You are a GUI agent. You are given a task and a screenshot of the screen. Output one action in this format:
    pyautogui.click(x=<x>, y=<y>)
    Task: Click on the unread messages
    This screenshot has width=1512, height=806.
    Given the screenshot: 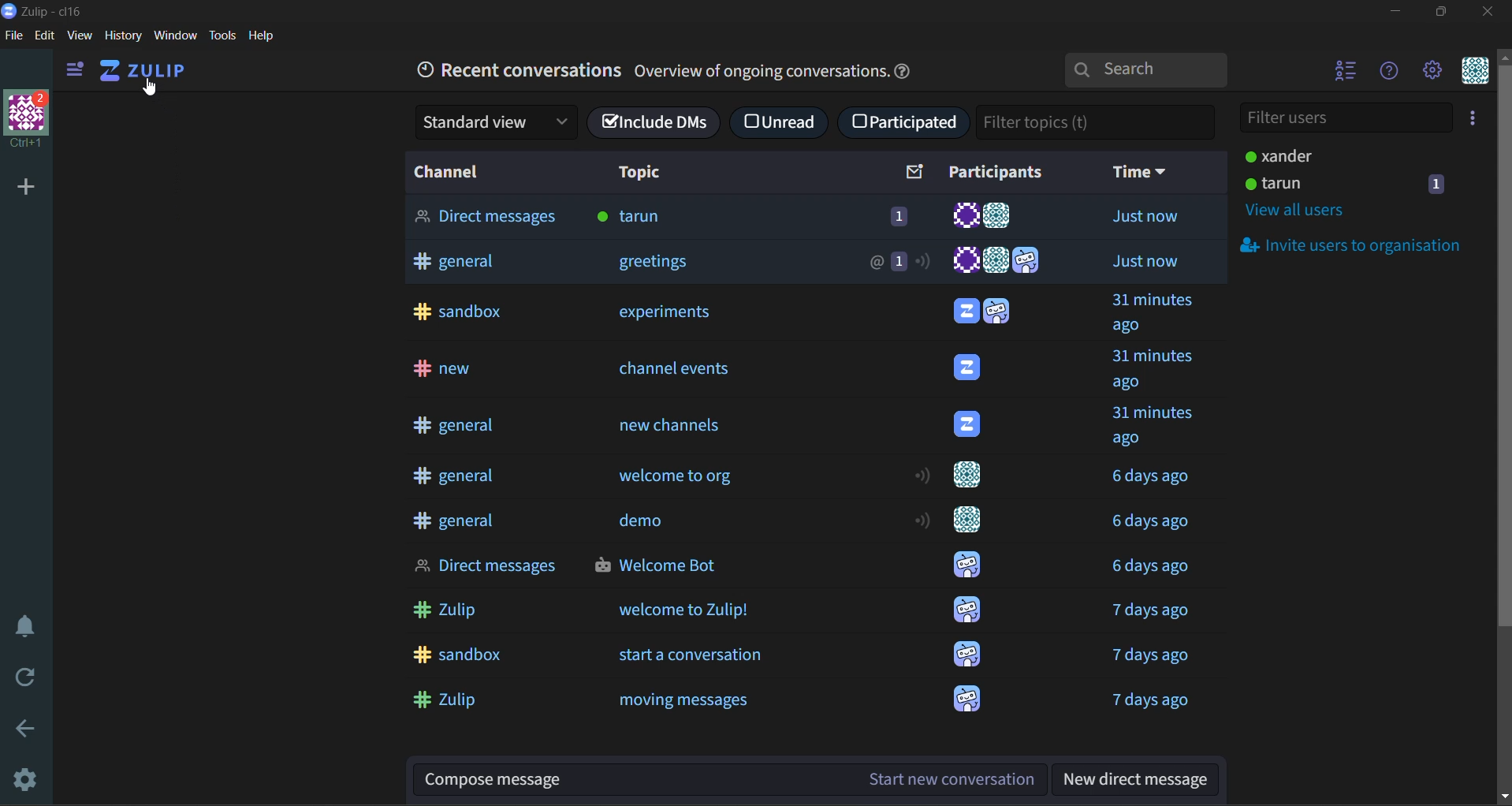 What is the action you would take?
    pyautogui.click(x=899, y=243)
    